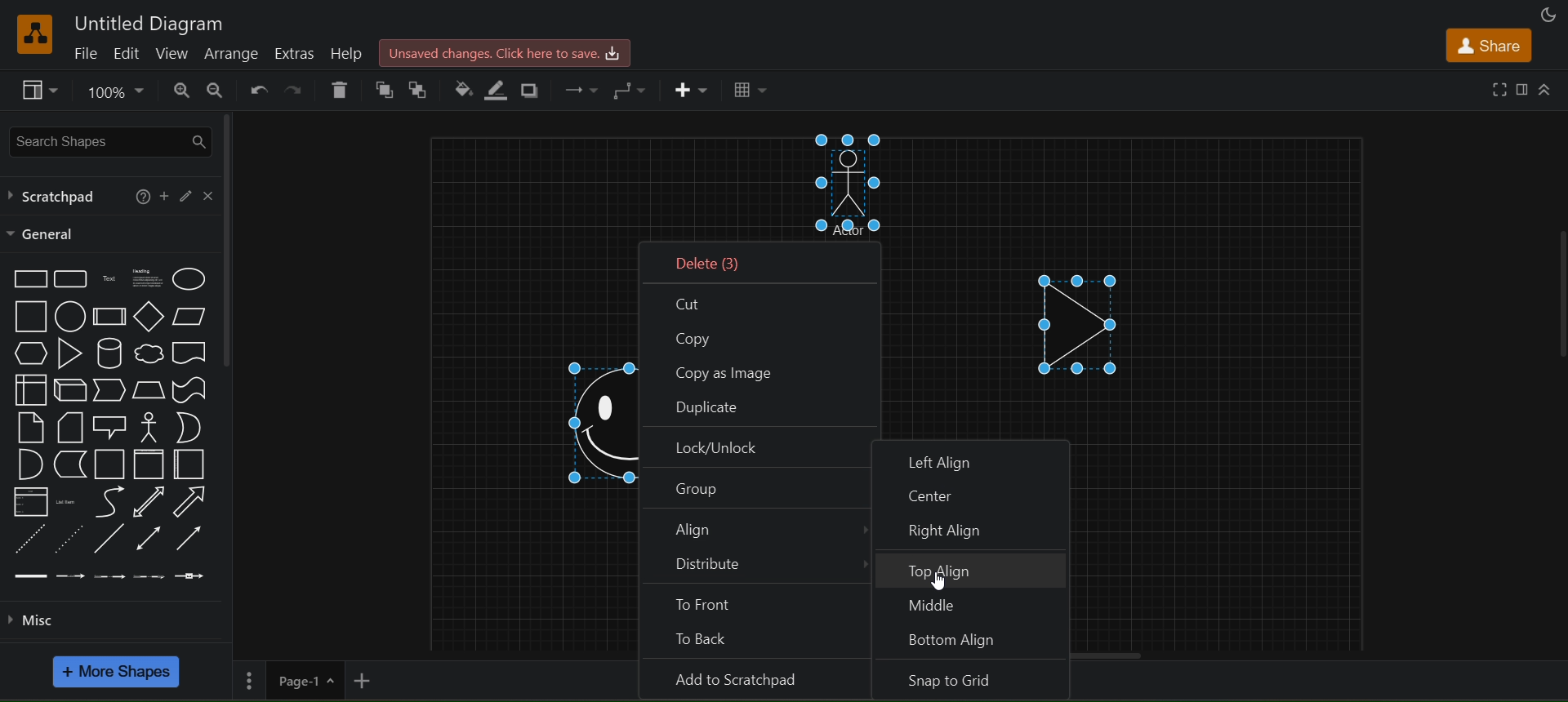 Image resolution: width=1568 pixels, height=702 pixels. What do you see at coordinates (976, 678) in the screenshot?
I see `snap to grid` at bounding box center [976, 678].